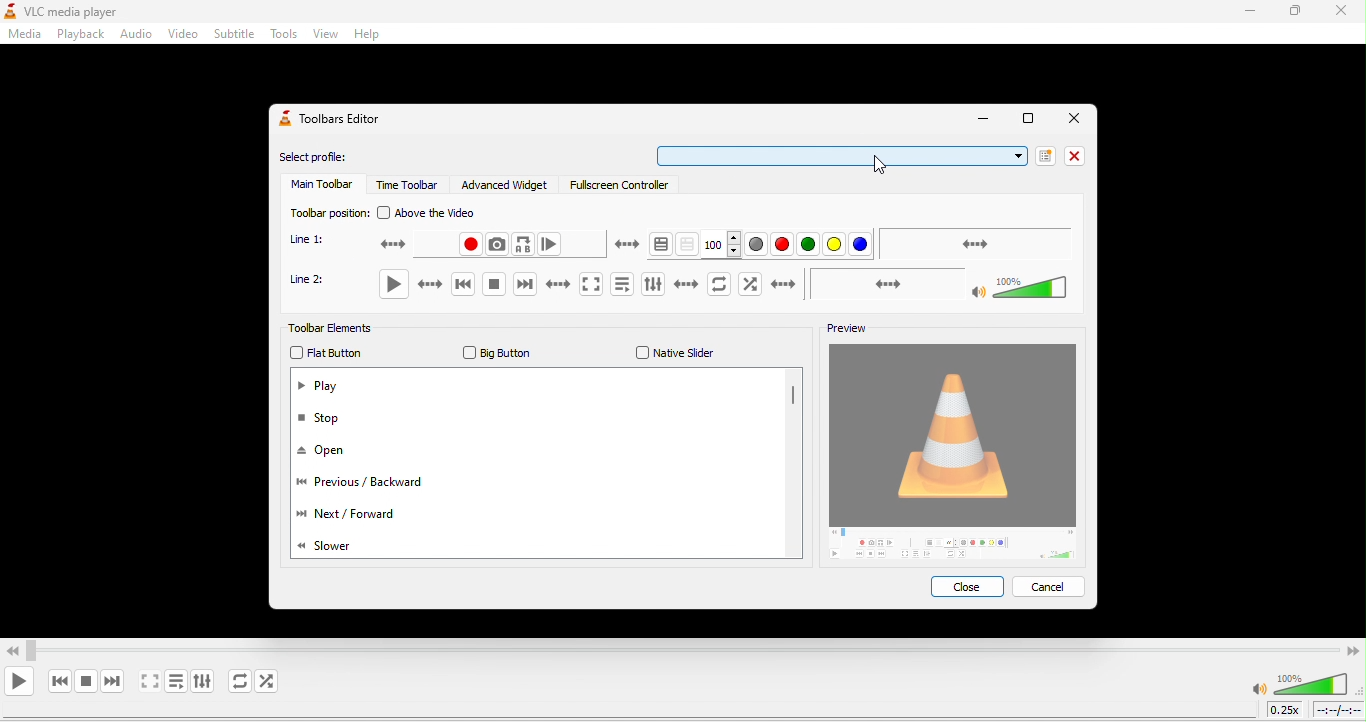 The image size is (1366, 722). Describe the element at coordinates (111, 681) in the screenshot. I see `next media` at that location.